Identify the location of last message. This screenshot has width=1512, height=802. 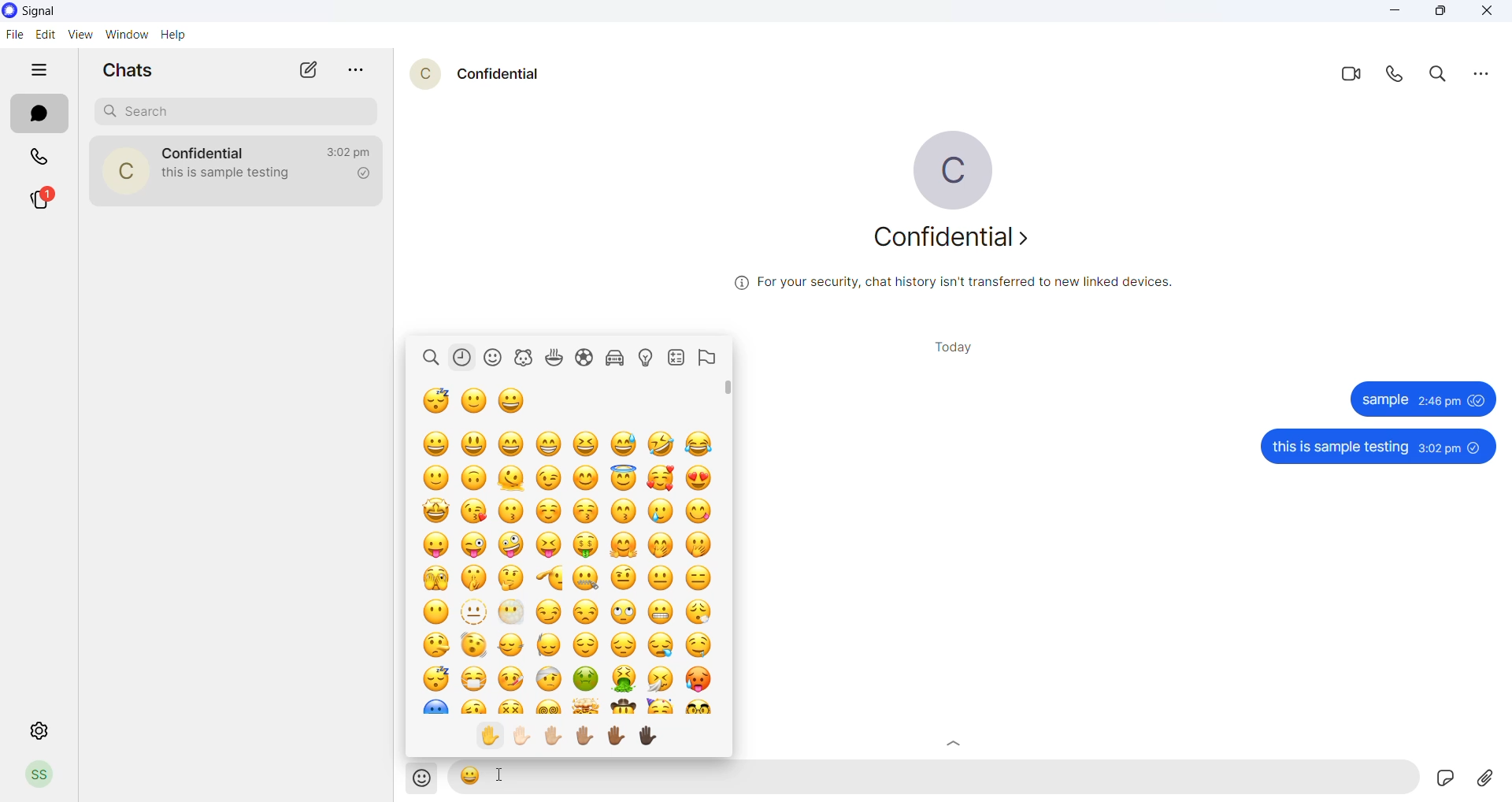
(238, 179).